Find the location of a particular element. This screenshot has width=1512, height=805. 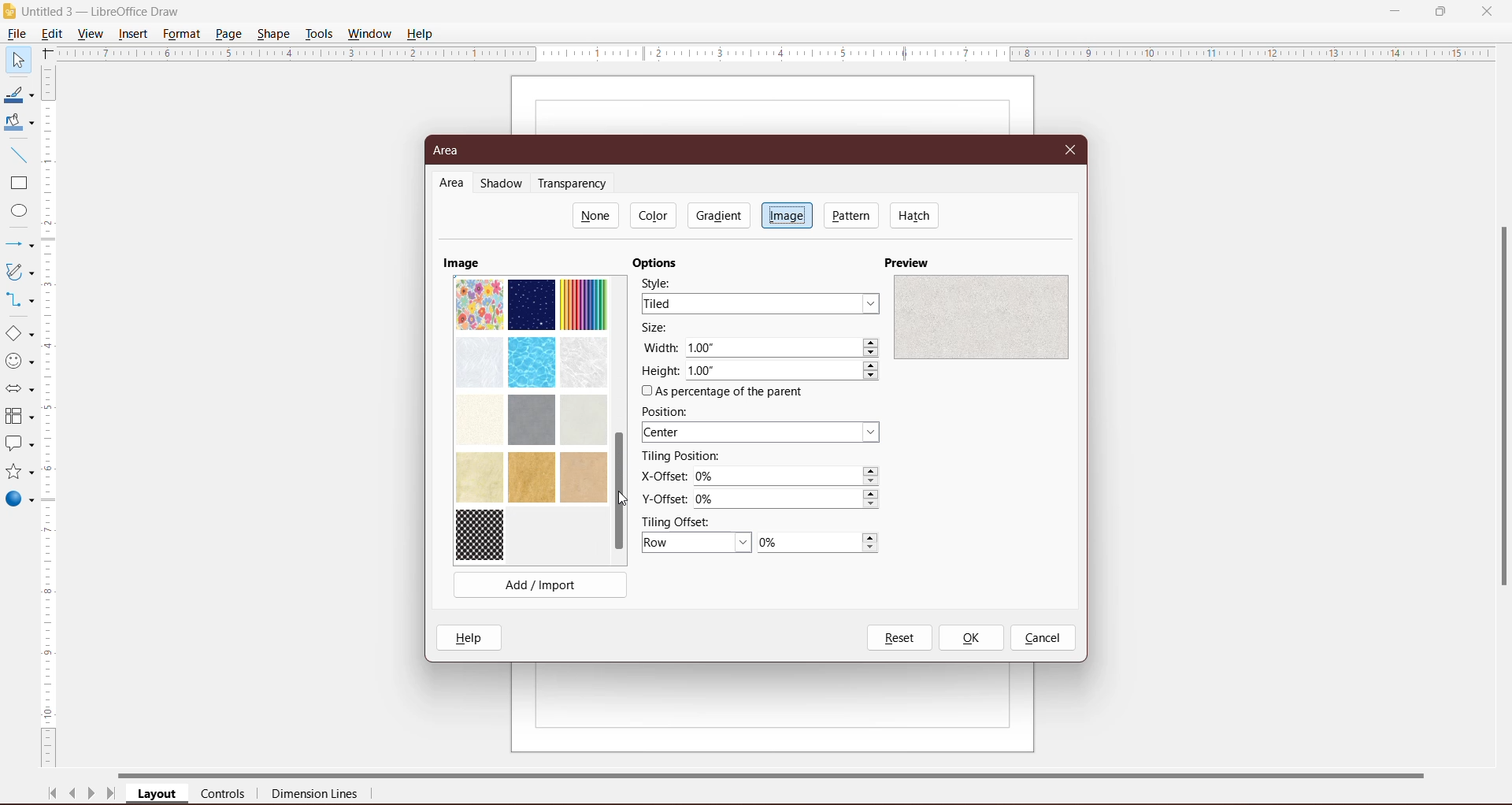

X-Offset is located at coordinates (661, 476).